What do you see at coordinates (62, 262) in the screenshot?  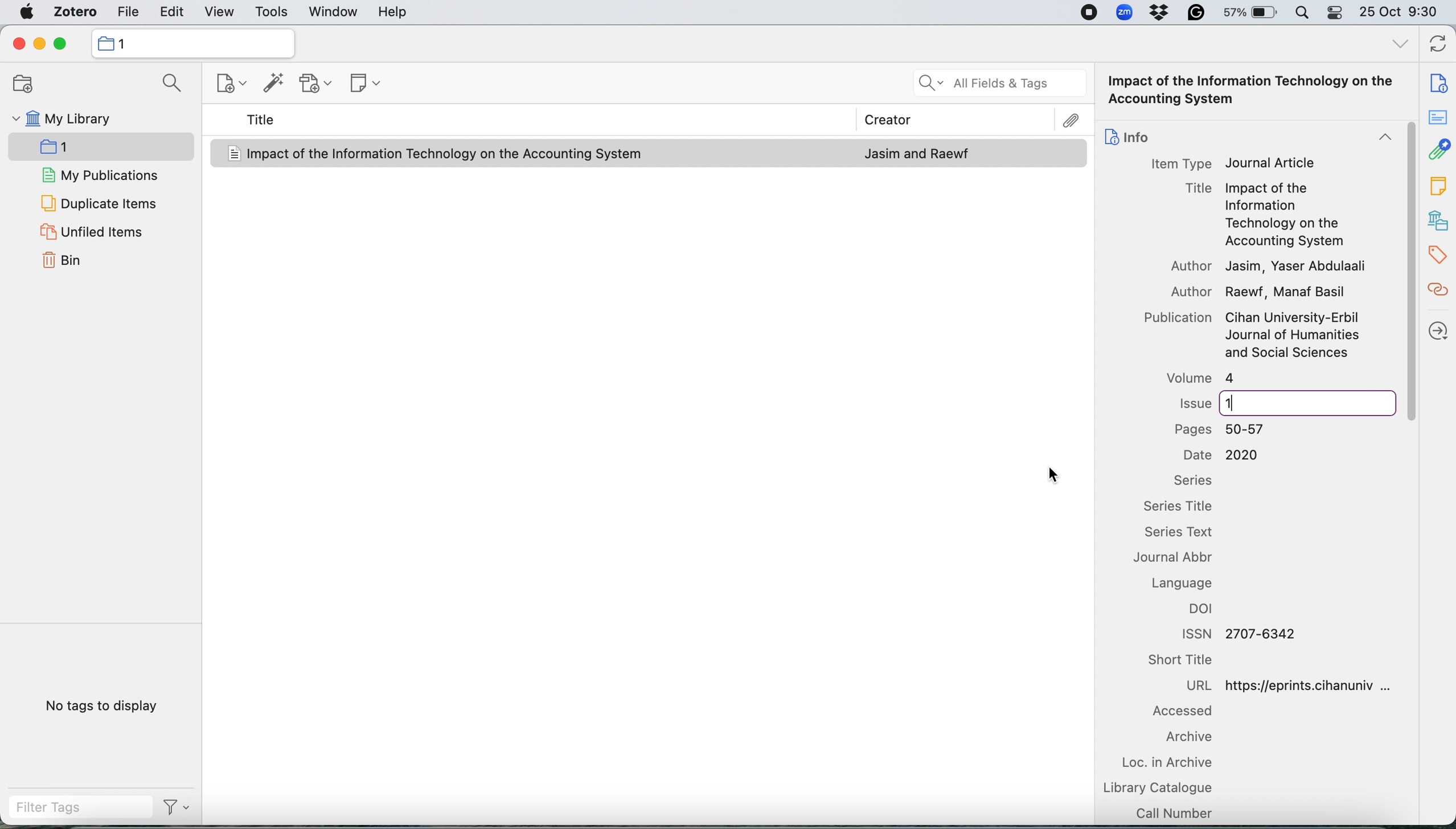 I see `bin` at bounding box center [62, 262].